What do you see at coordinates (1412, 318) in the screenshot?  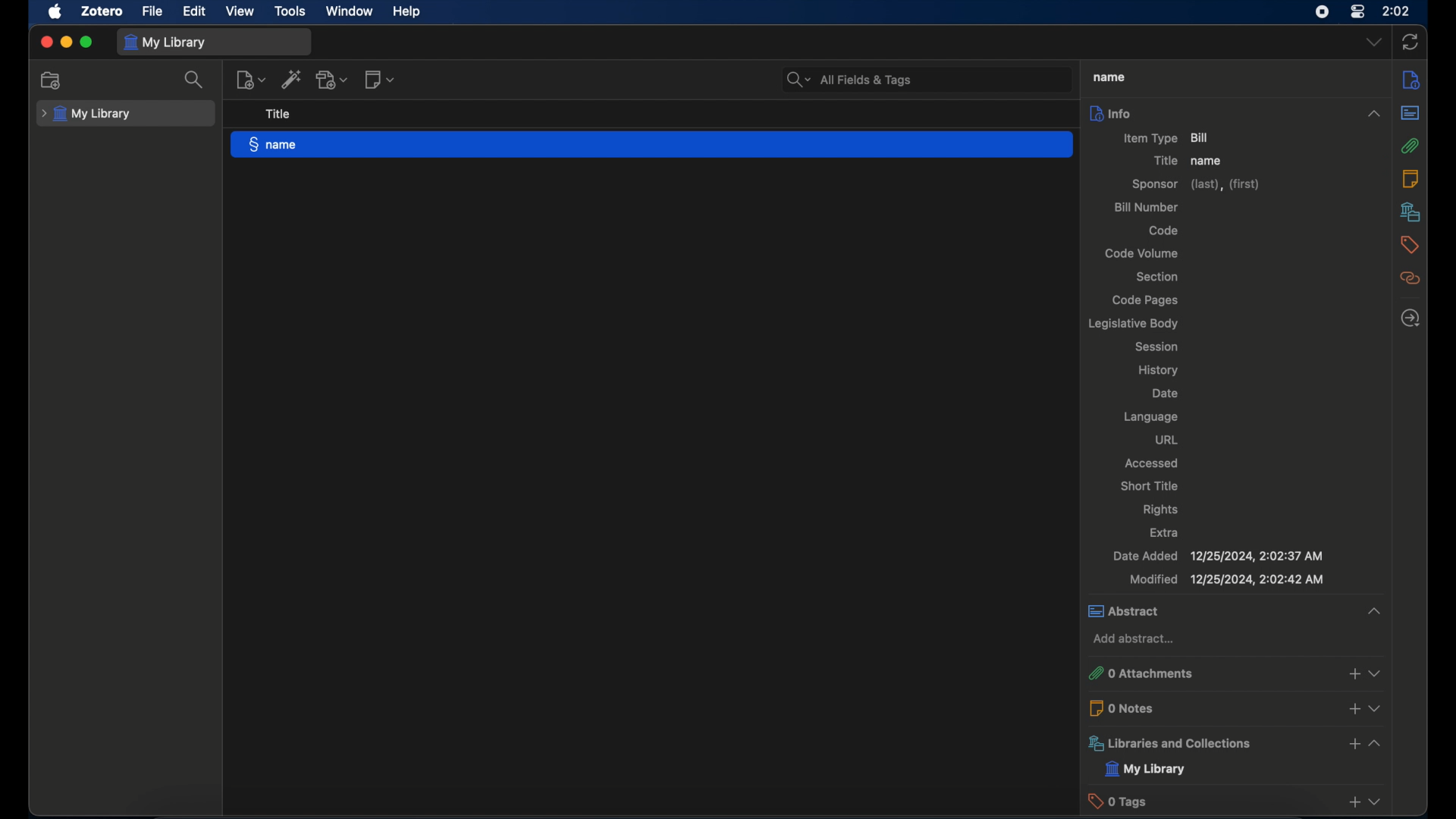 I see `locate` at bounding box center [1412, 318].